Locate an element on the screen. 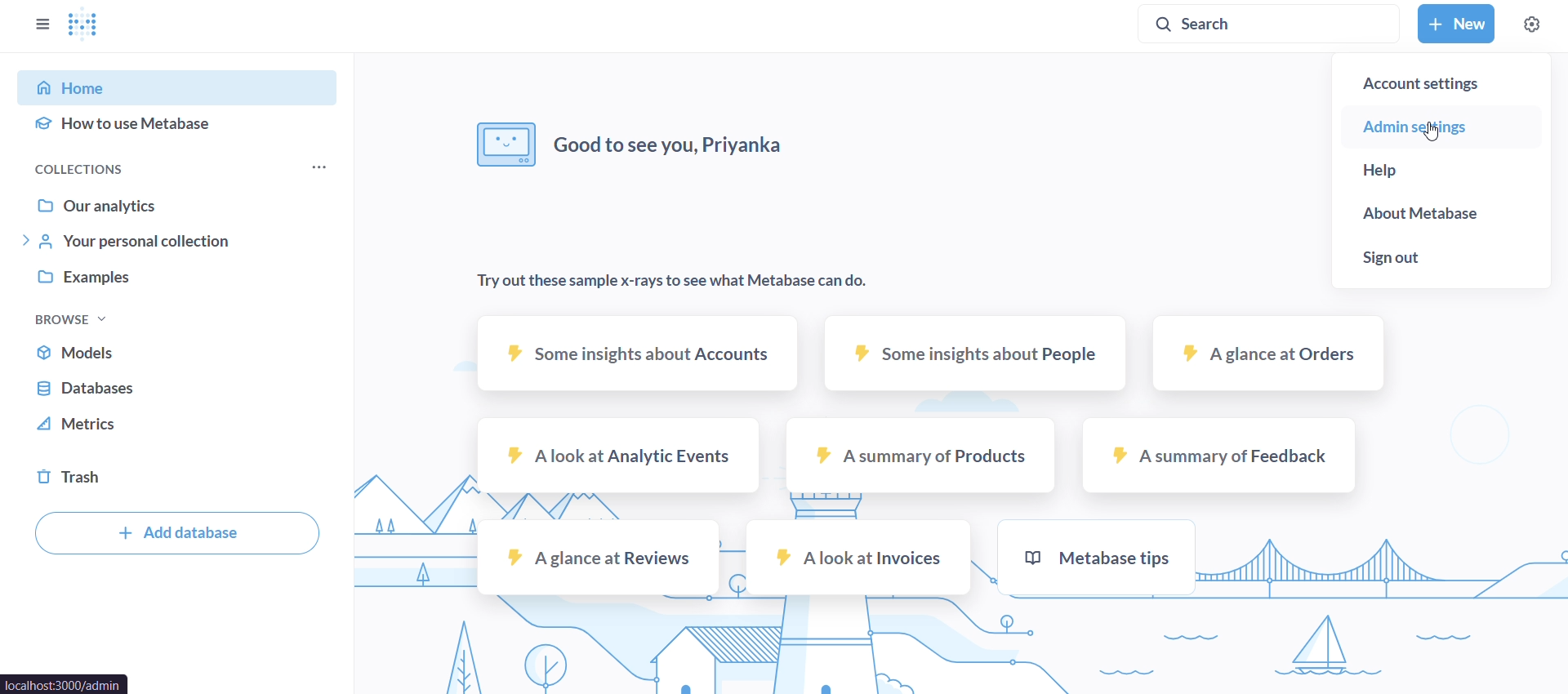 The width and height of the screenshot is (1568, 694). examples is located at coordinates (179, 279).